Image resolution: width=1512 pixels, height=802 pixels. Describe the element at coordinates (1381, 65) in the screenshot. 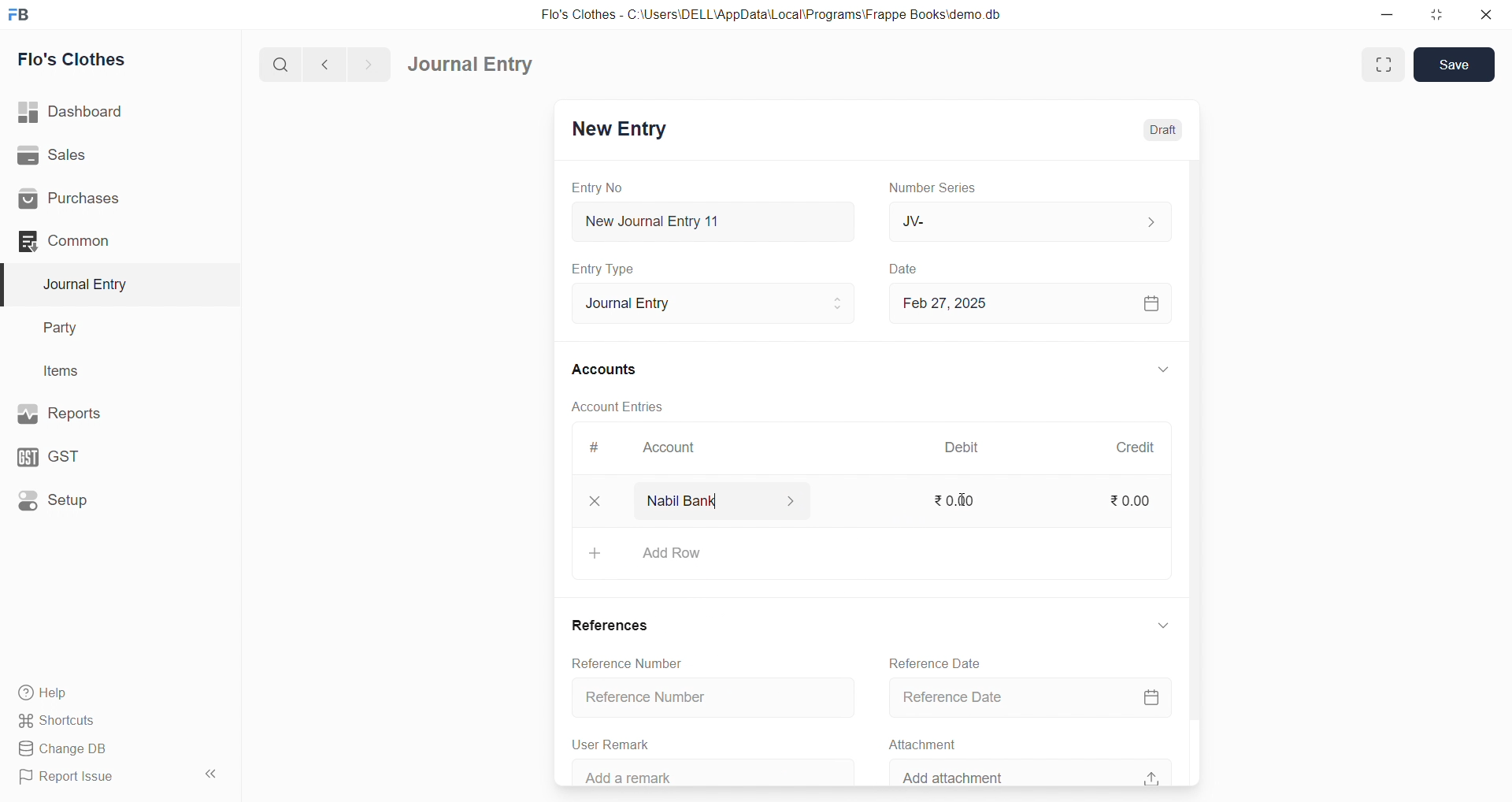

I see `Fit window` at that location.